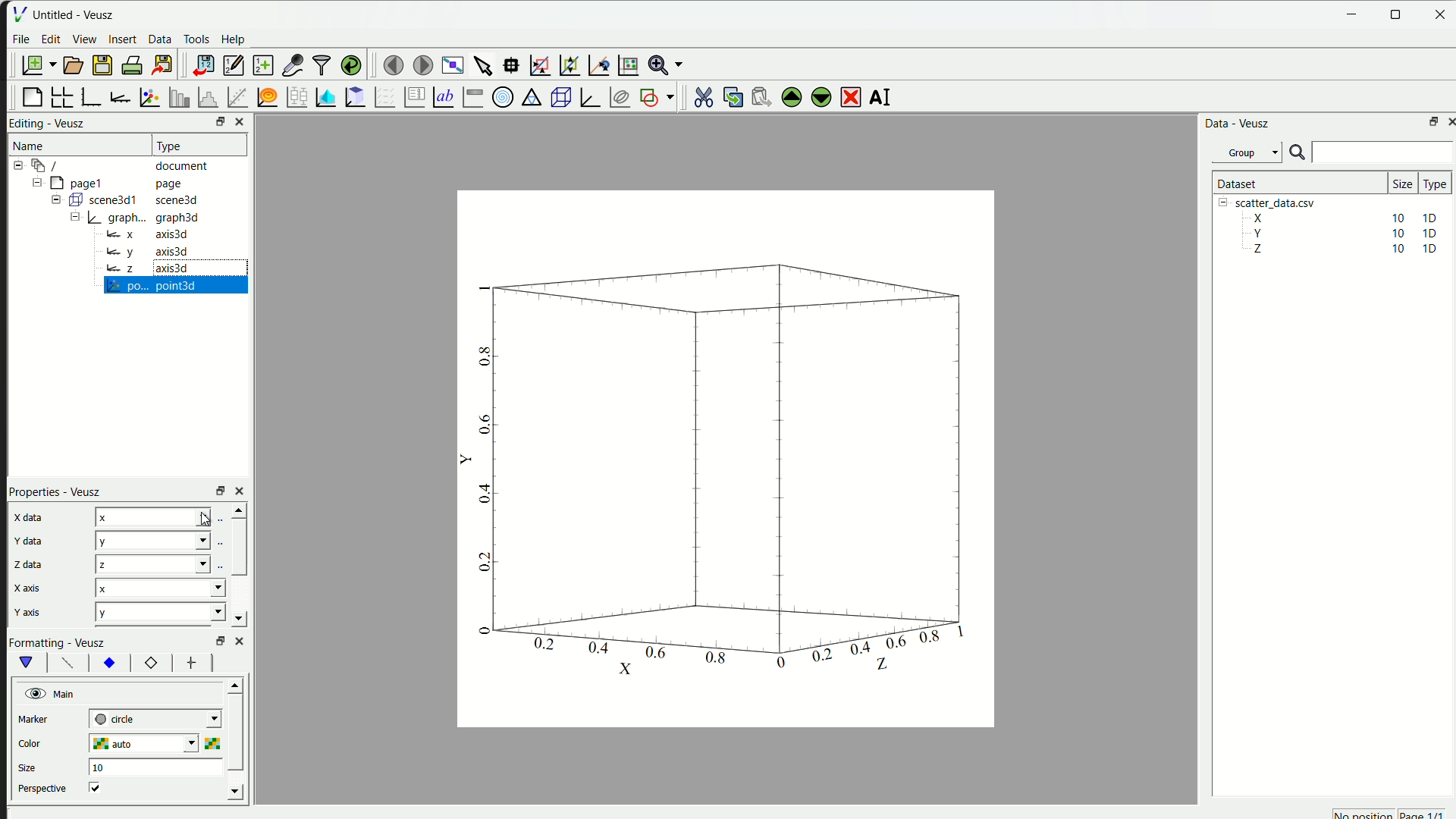  What do you see at coordinates (54, 692) in the screenshot?
I see `Main` at bounding box center [54, 692].